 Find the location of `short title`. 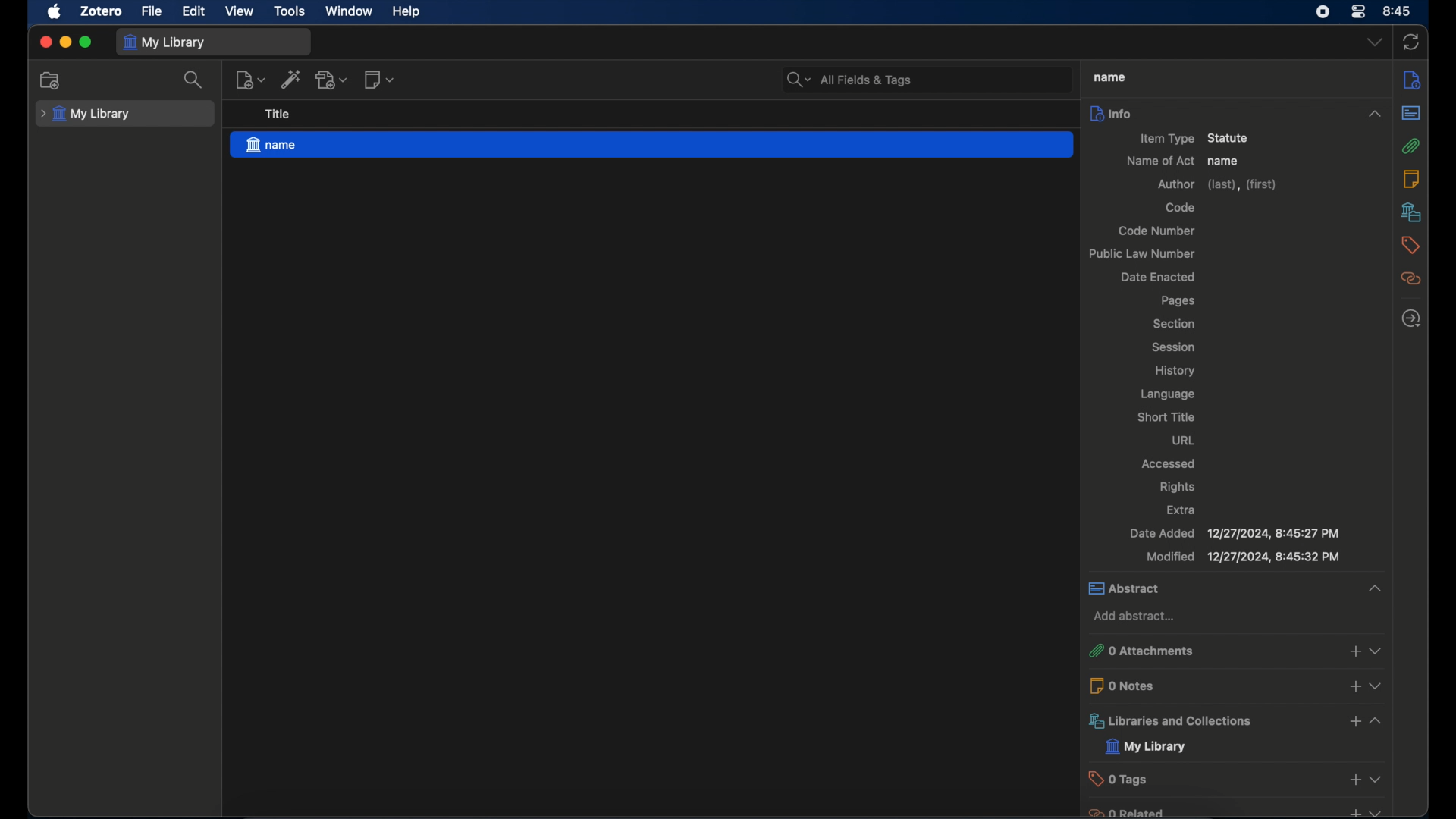

short title is located at coordinates (1170, 416).